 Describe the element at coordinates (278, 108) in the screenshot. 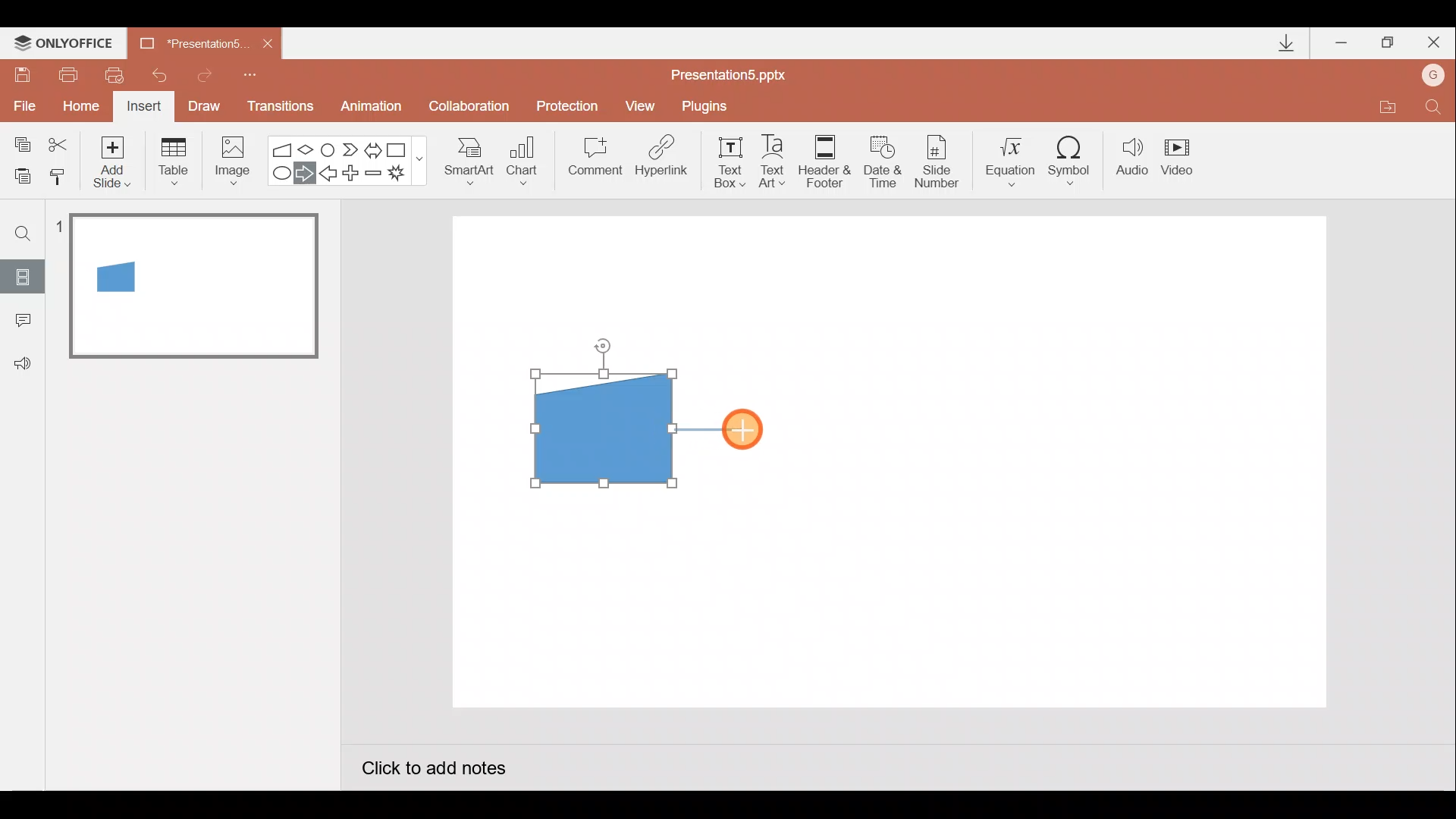

I see `Transitions` at that location.